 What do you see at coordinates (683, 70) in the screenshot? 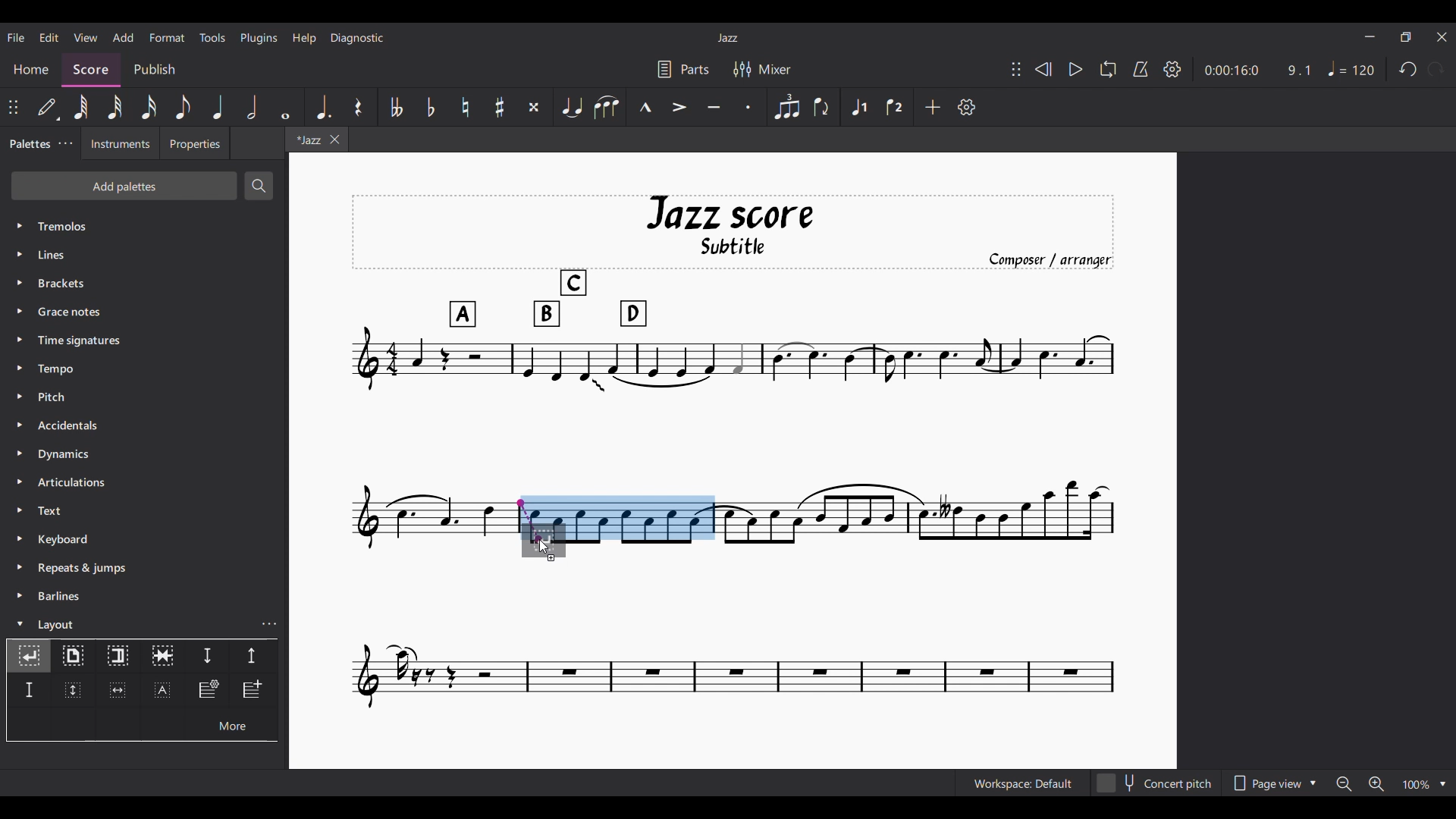
I see `Parts settings` at bounding box center [683, 70].